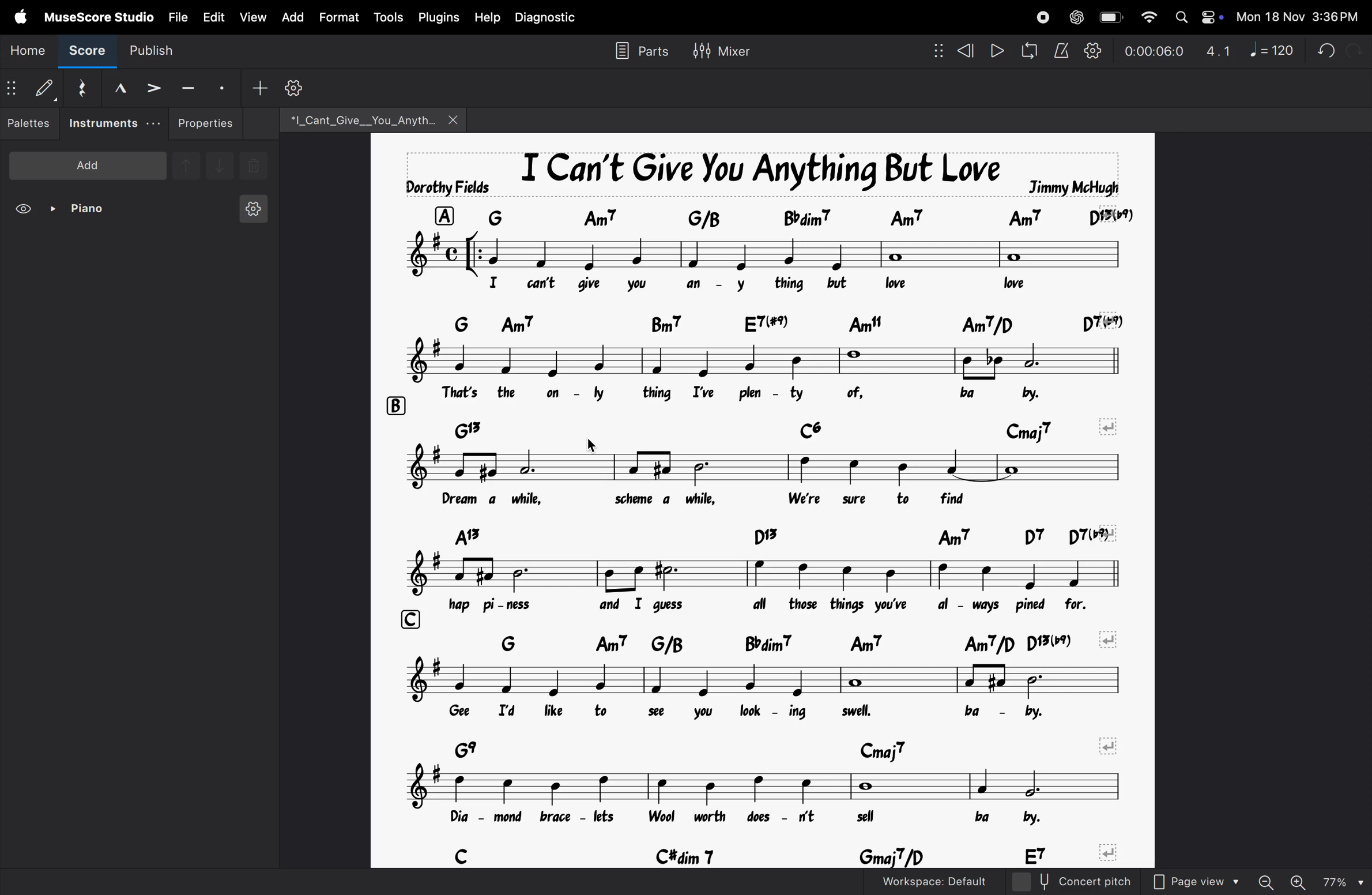 The image size is (1372, 895). What do you see at coordinates (149, 52) in the screenshot?
I see `publish` at bounding box center [149, 52].